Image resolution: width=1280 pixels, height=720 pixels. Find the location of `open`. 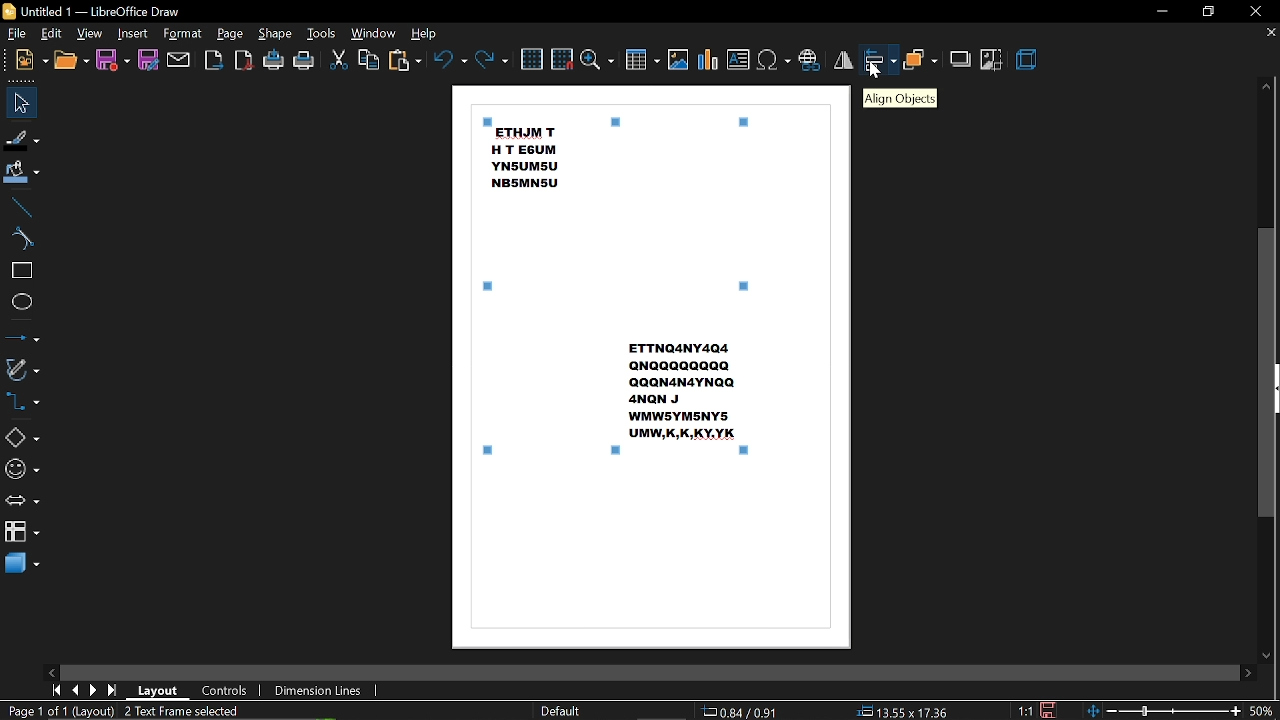

open is located at coordinates (71, 62).